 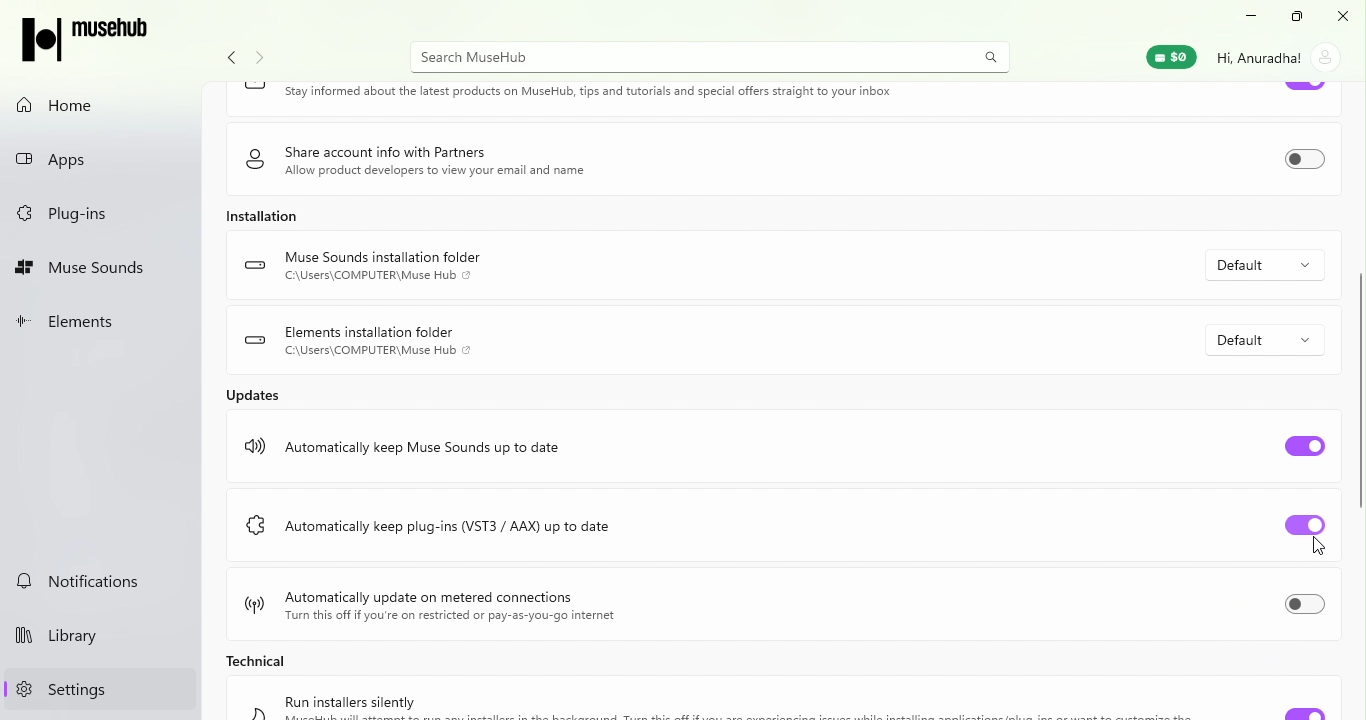 I want to click on Updates, so click(x=255, y=394).